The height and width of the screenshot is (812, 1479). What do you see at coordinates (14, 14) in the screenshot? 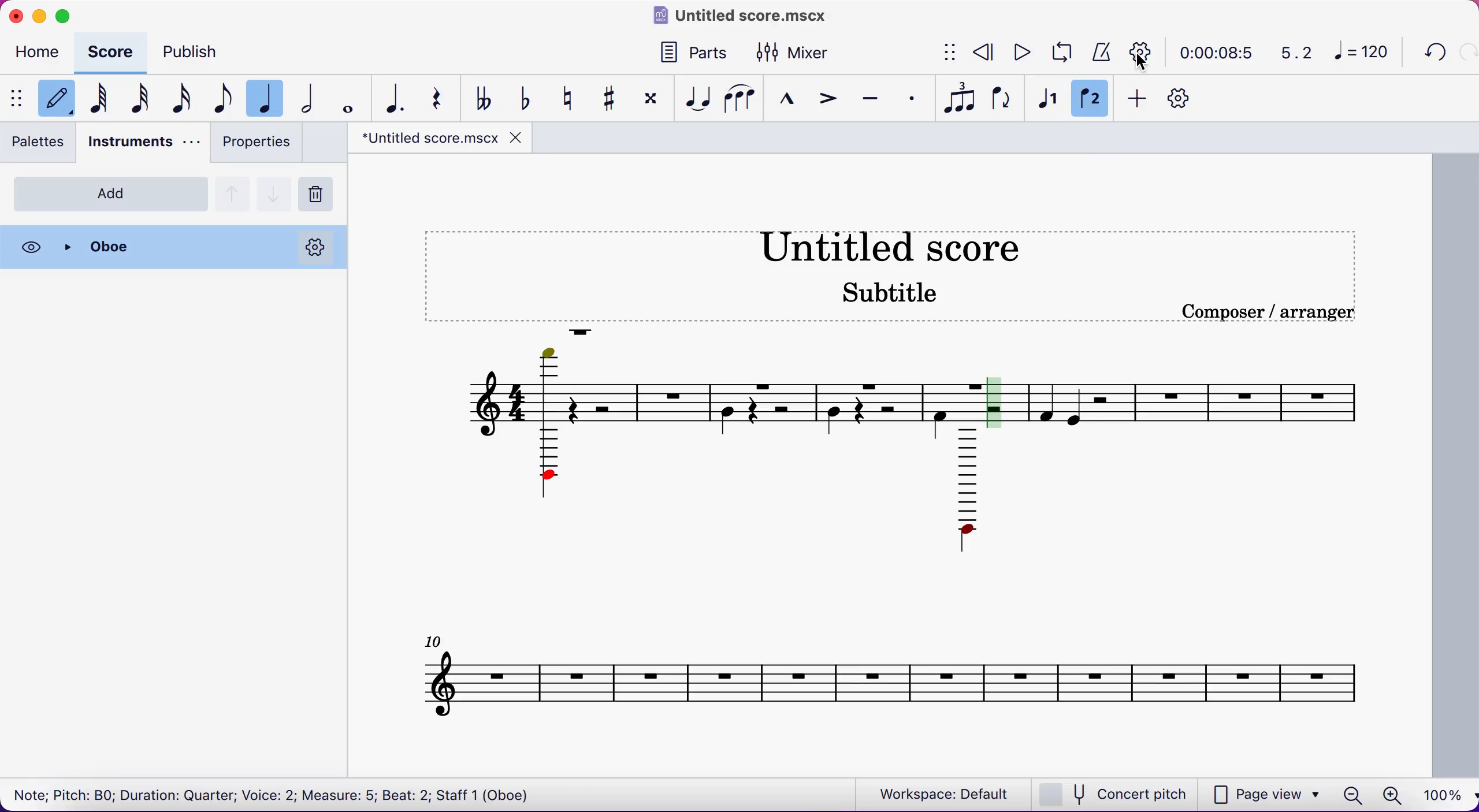
I see `close` at bounding box center [14, 14].